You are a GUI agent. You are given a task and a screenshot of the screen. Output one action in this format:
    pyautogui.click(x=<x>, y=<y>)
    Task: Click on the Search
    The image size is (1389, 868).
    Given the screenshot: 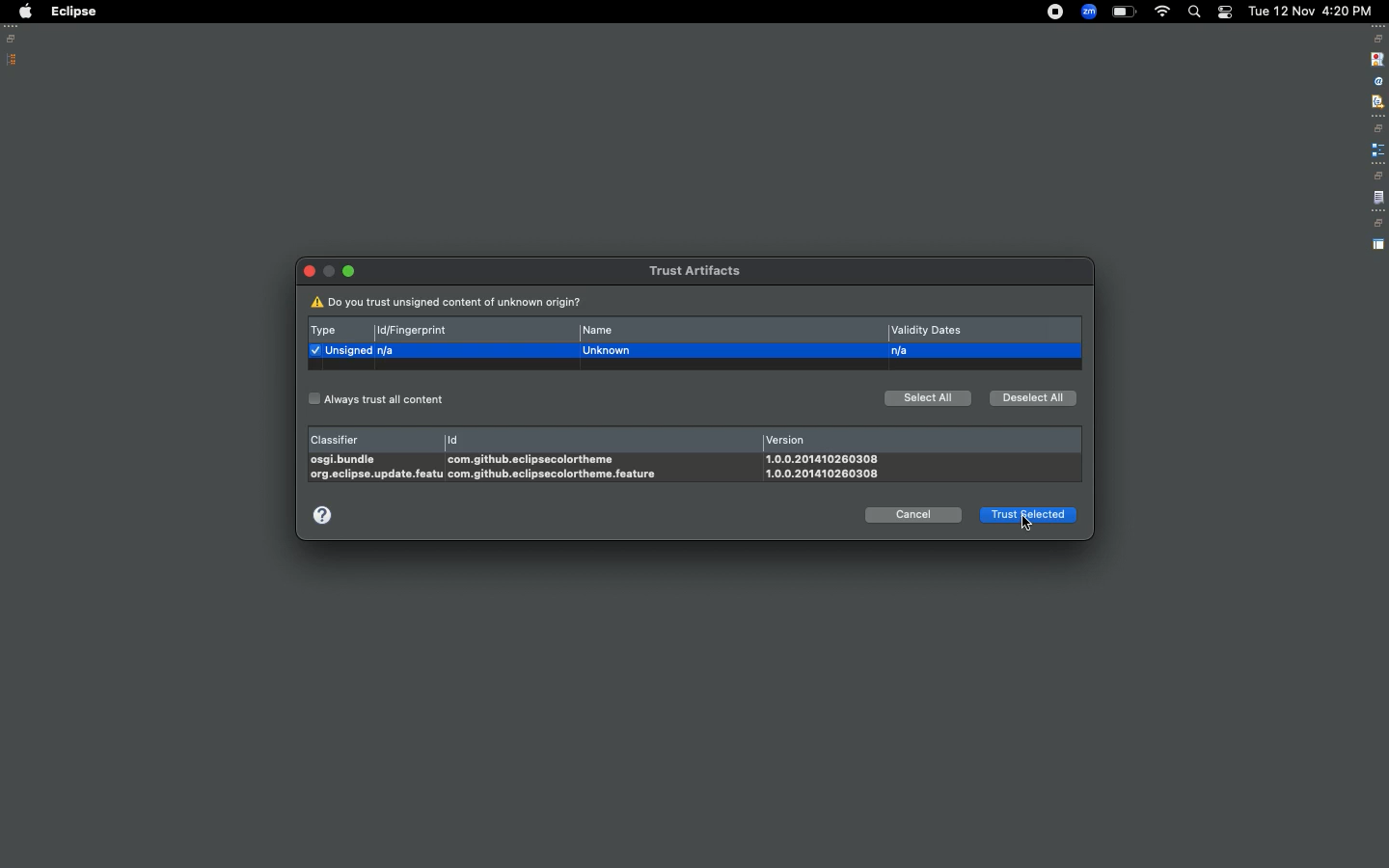 What is the action you would take?
    pyautogui.click(x=1193, y=12)
    